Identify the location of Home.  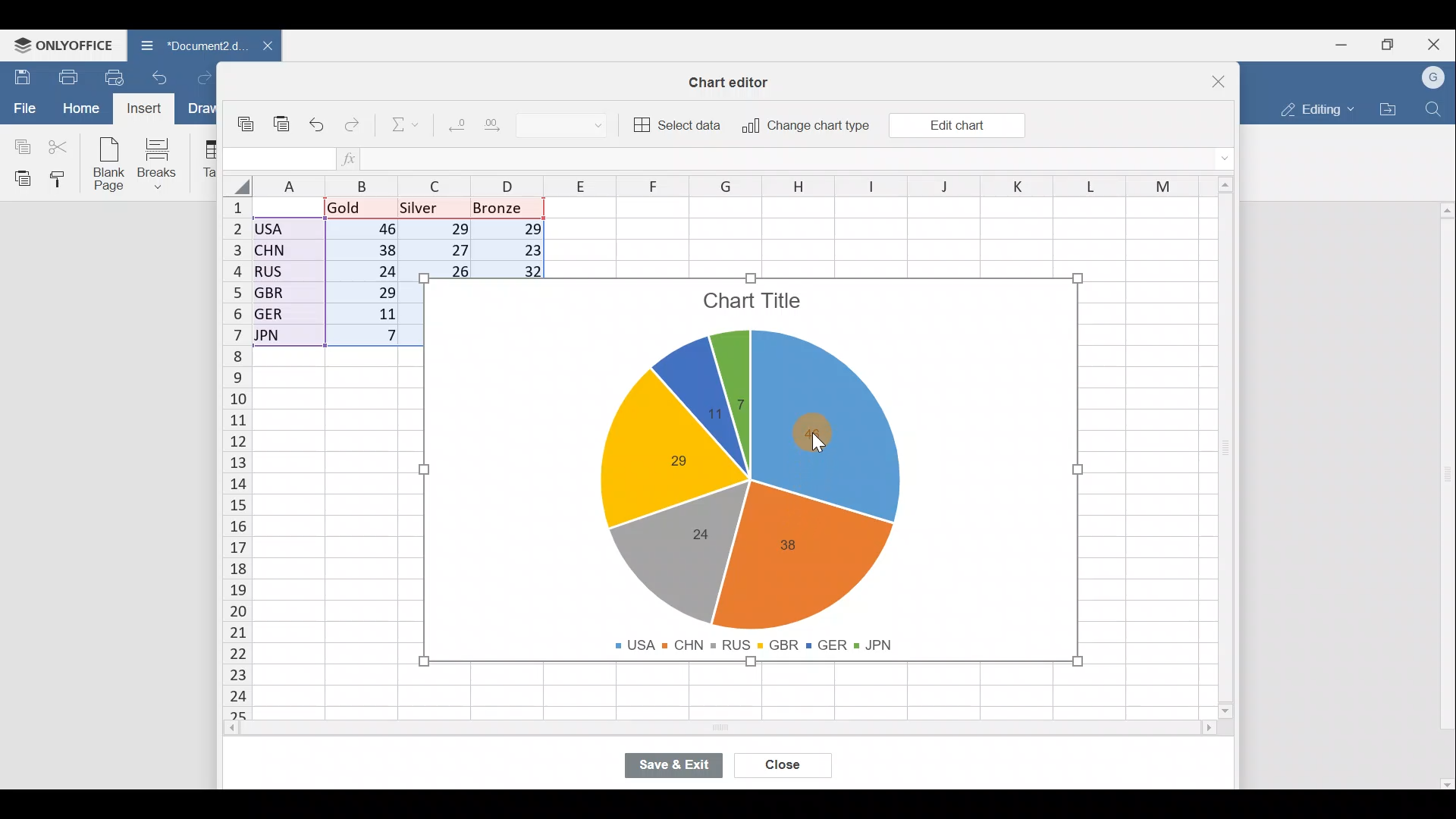
(80, 108).